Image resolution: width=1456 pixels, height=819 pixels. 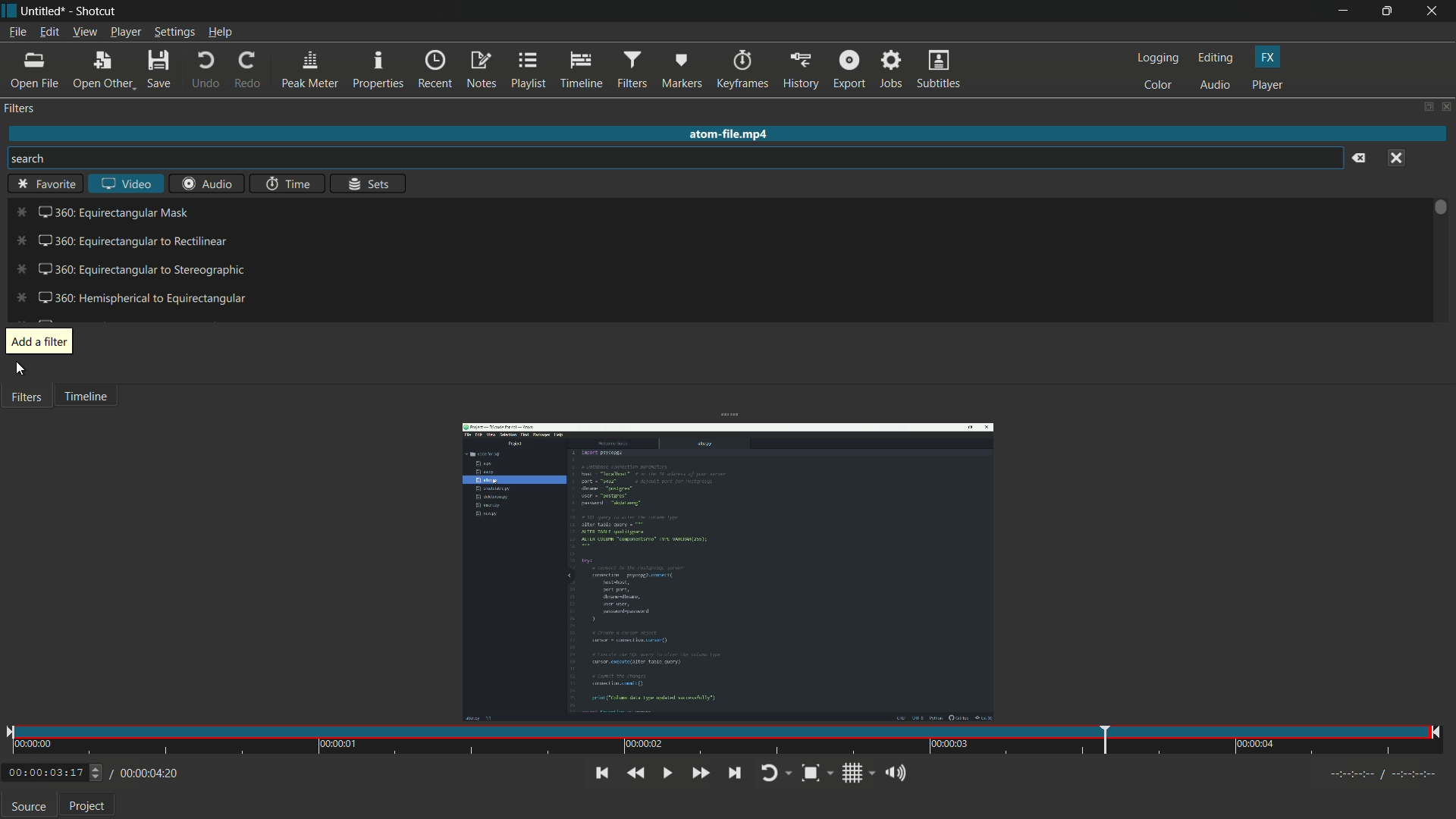 I want to click on toggle zoom, so click(x=817, y=772).